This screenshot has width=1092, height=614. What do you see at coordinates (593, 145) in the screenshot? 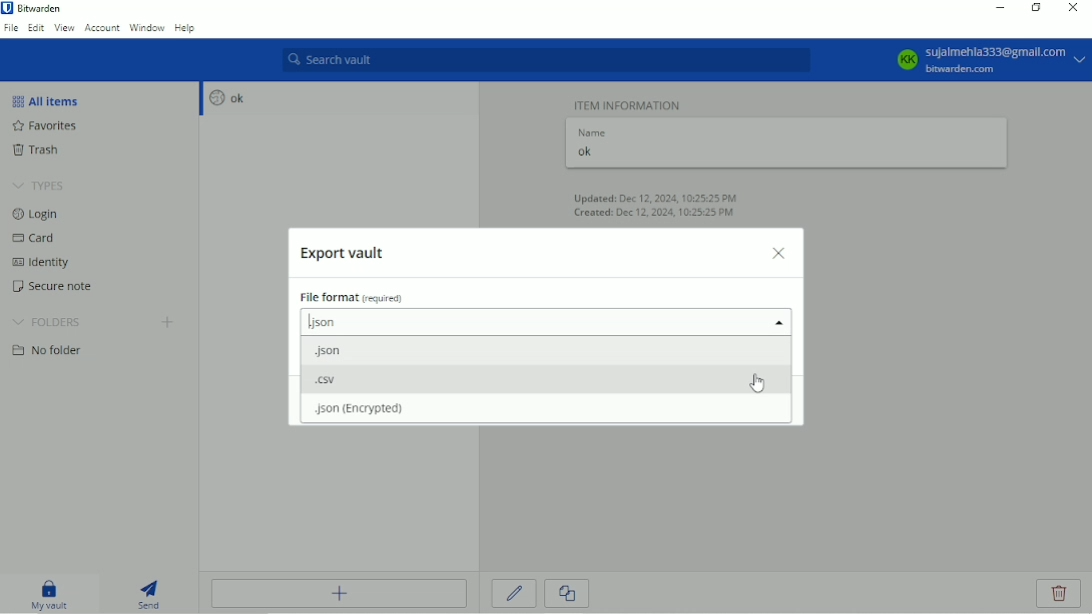
I see `Name ok` at bounding box center [593, 145].